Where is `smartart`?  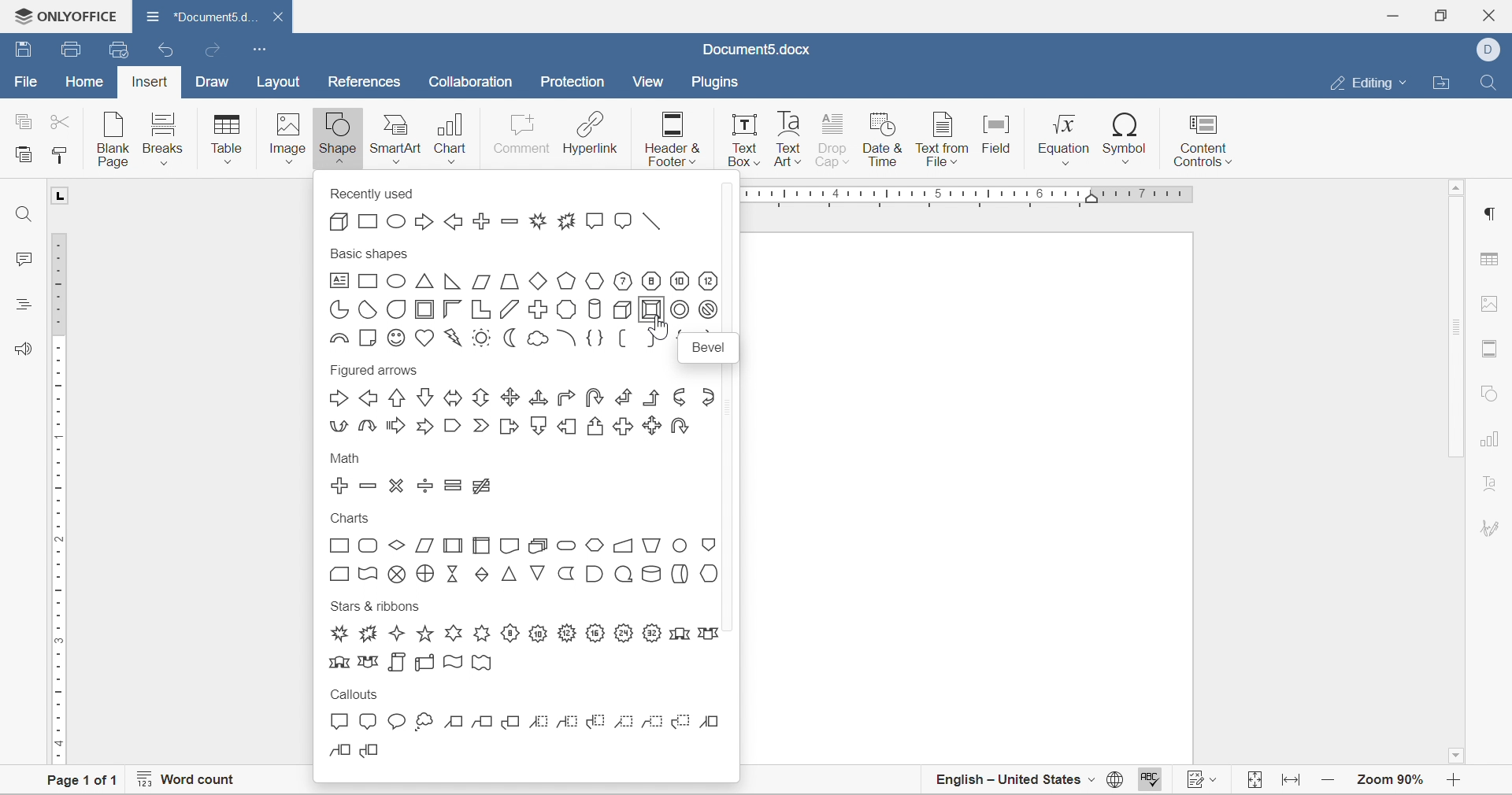 smartart is located at coordinates (397, 133).